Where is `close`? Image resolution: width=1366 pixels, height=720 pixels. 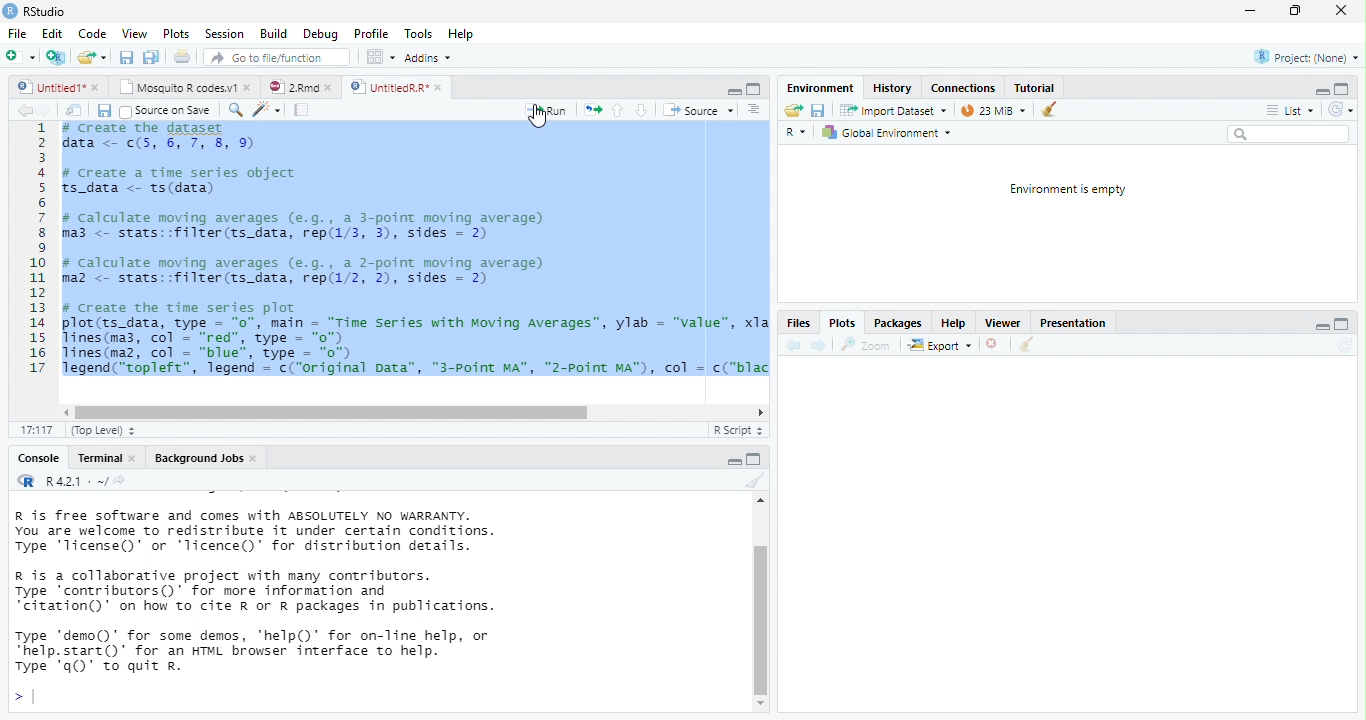 close is located at coordinates (97, 88).